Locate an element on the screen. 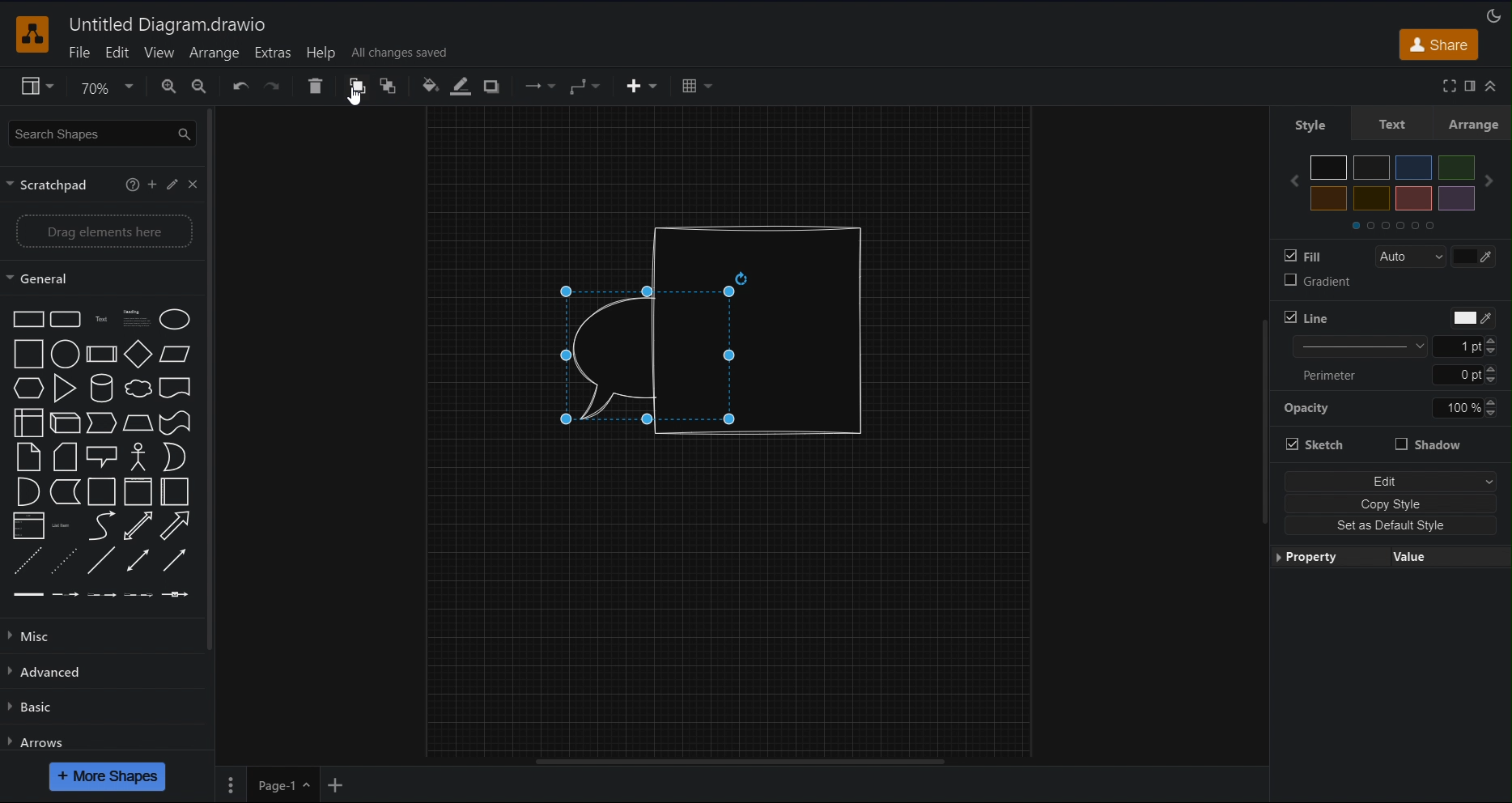  Directional connector is located at coordinates (174, 560).